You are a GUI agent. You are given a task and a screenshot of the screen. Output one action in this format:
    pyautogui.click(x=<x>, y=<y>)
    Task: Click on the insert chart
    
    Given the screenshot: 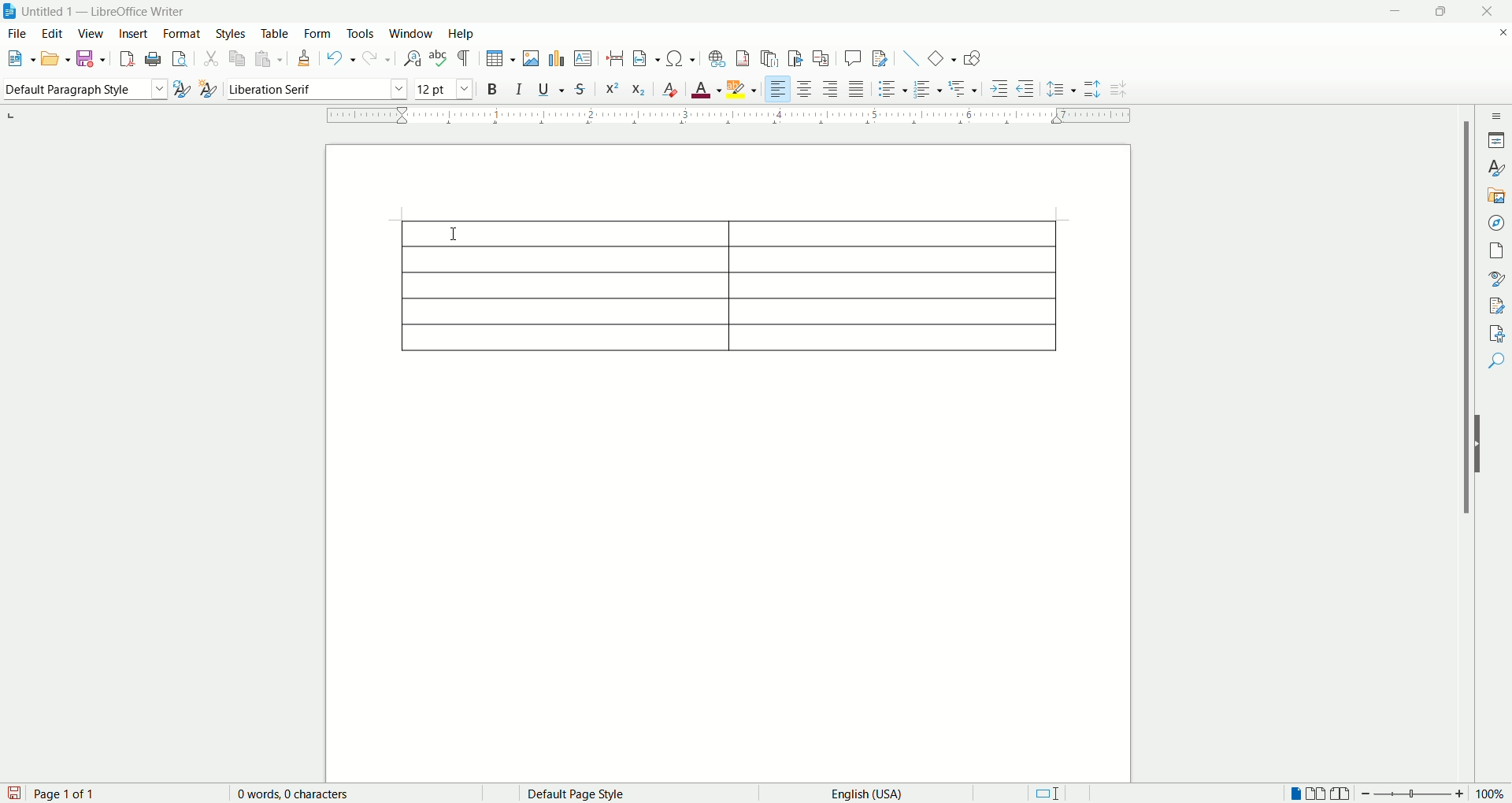 What is the action you would take?
    pyautogui.click(x=556, y=57)
    